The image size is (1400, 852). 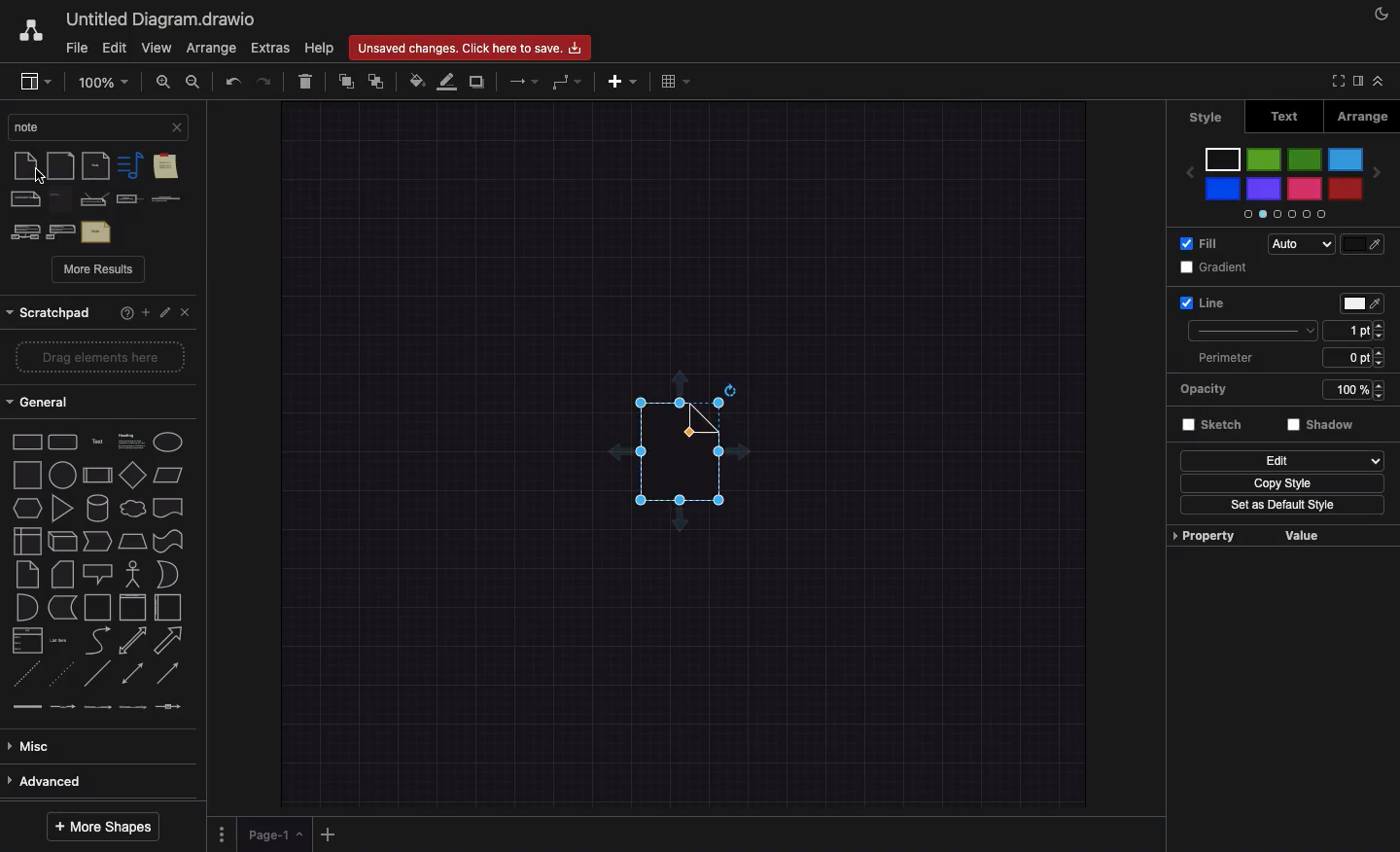 I want to click on close search bar, so click(x=177, y=126).